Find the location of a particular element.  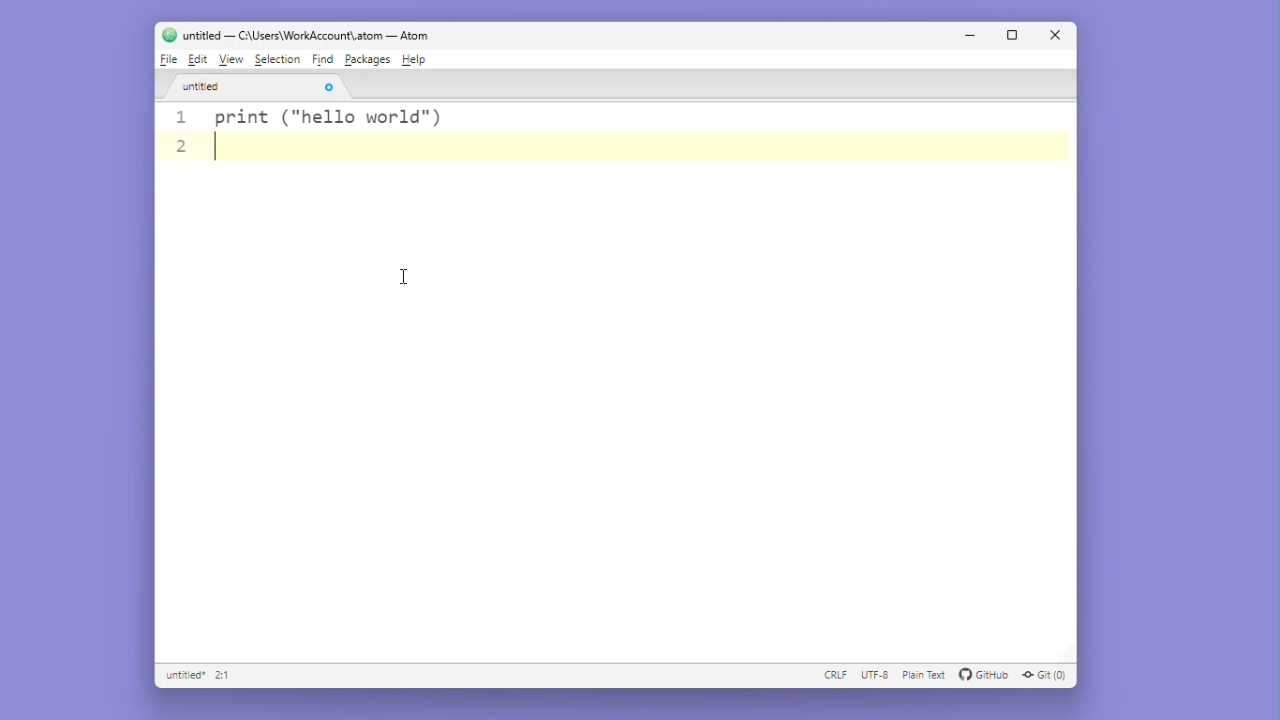

Untilled is located at coordinates (183, 677).